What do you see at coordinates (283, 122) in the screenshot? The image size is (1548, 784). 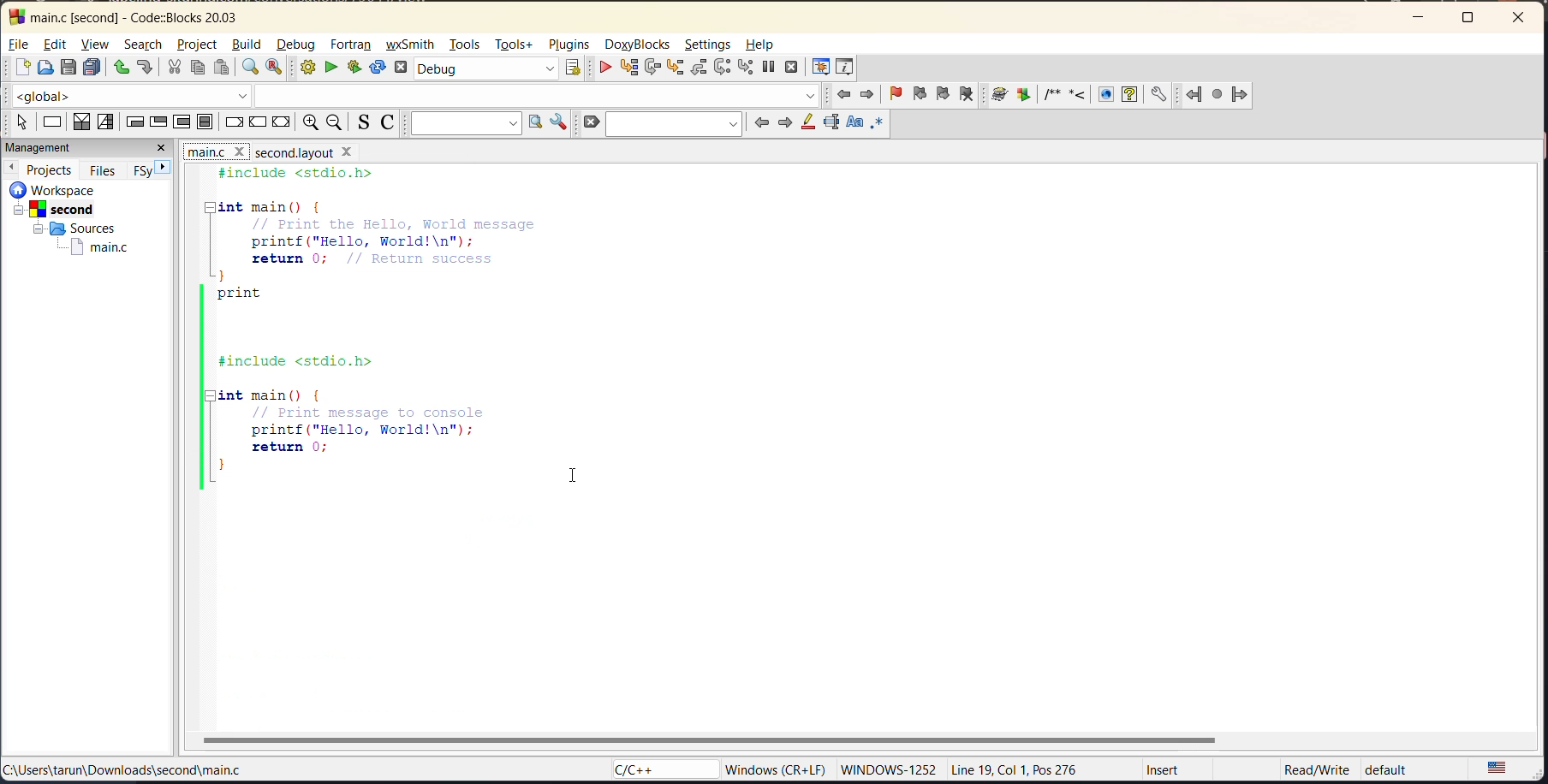 I see `return  instruction` at bounding box center [283, 122].